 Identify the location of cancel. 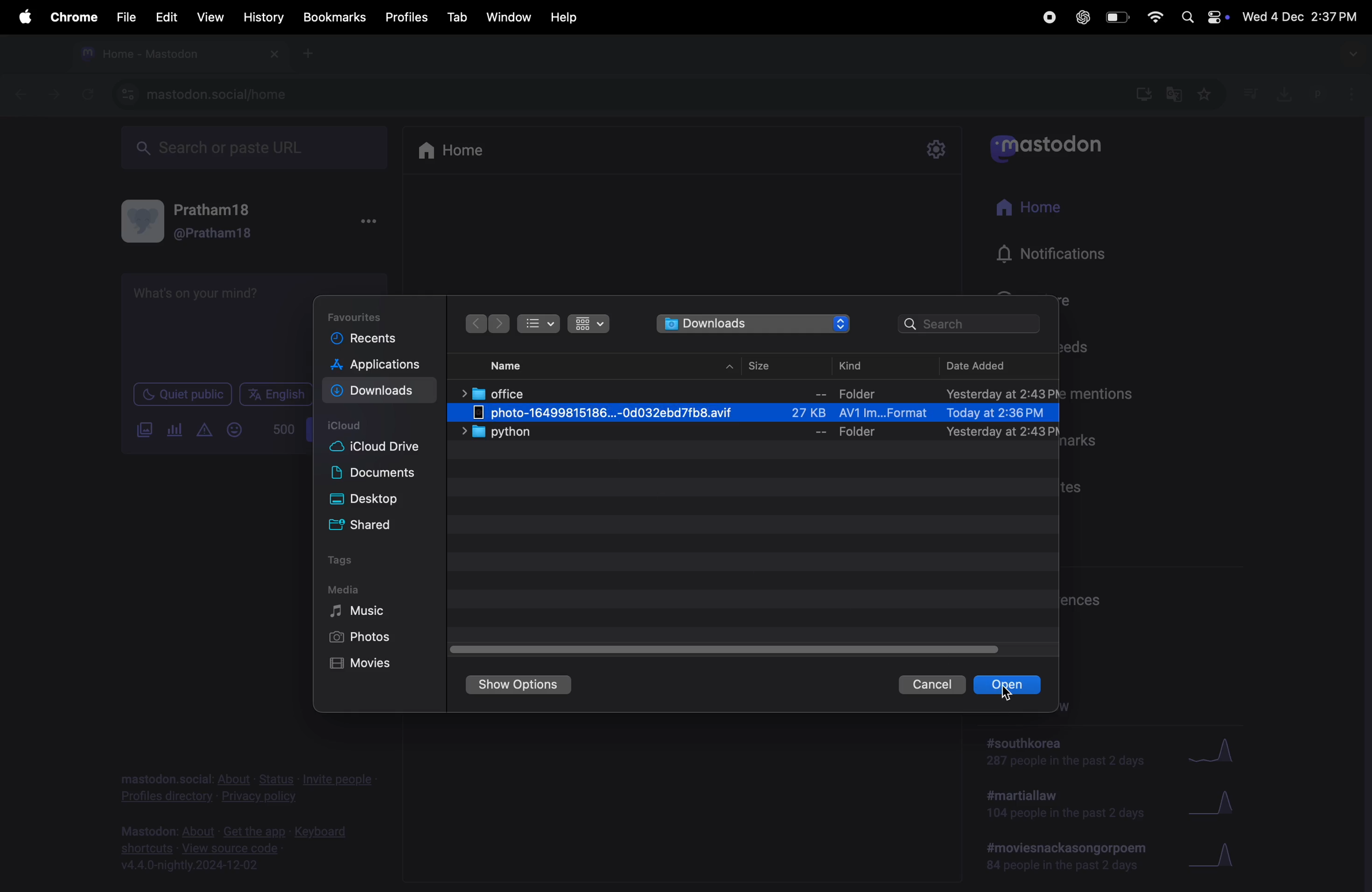
(932, 685).